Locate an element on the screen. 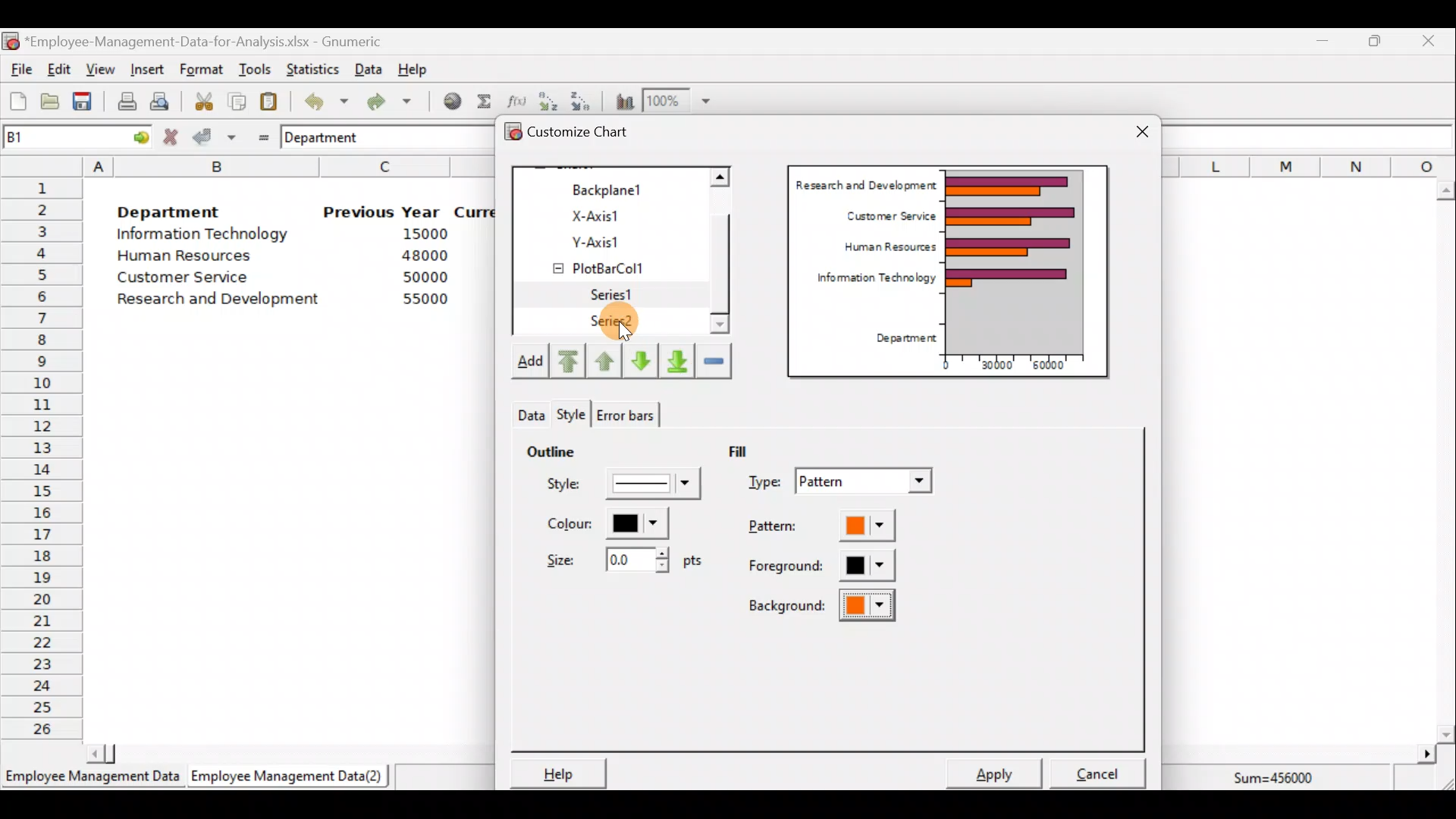 Image resolution: width=1456 pixels, height=819 pixels. Accept change is located at coordinates (215, 136).